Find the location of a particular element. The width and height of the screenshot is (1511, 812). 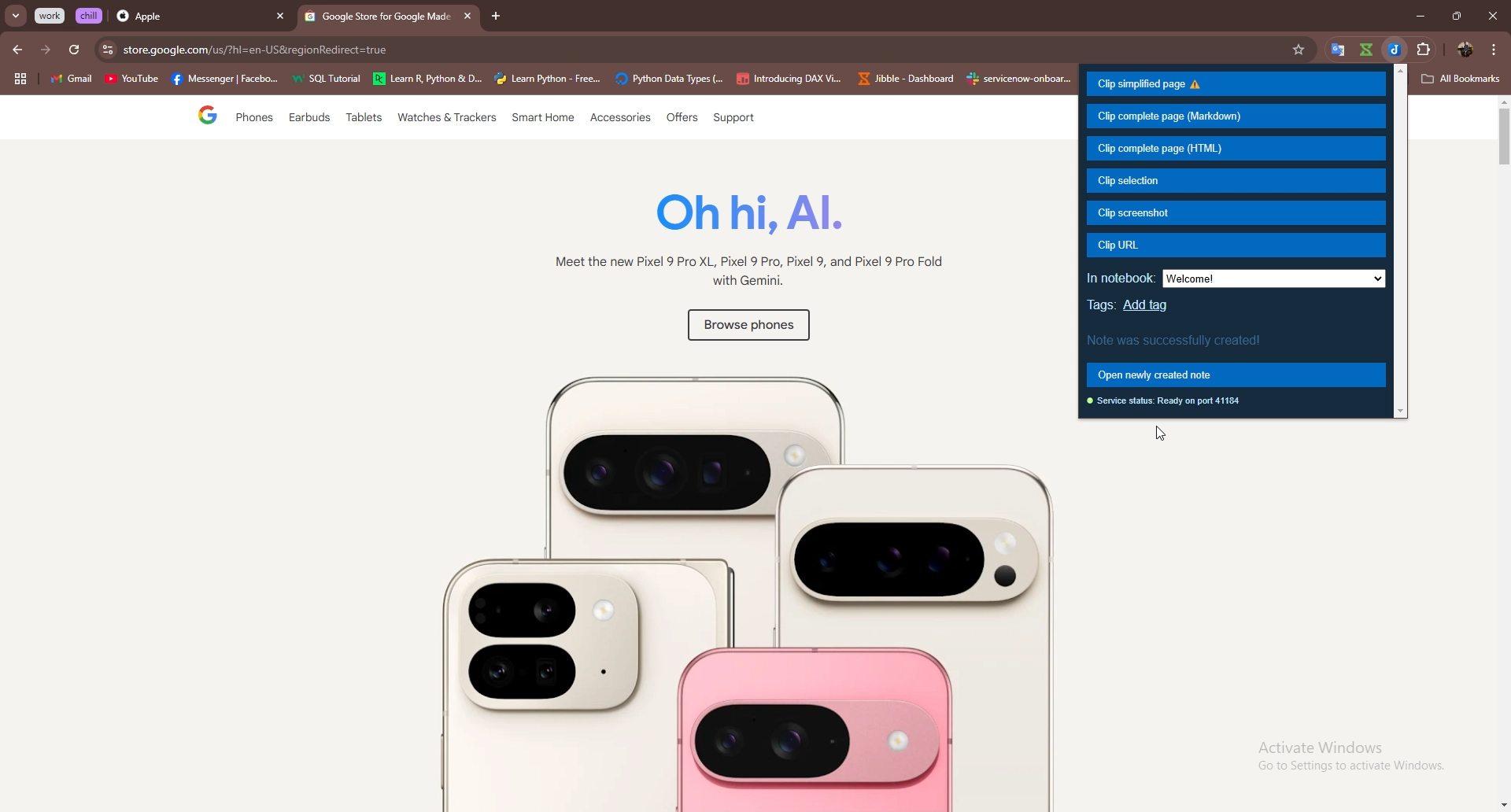

close tab is located at coordinates (280, 17).